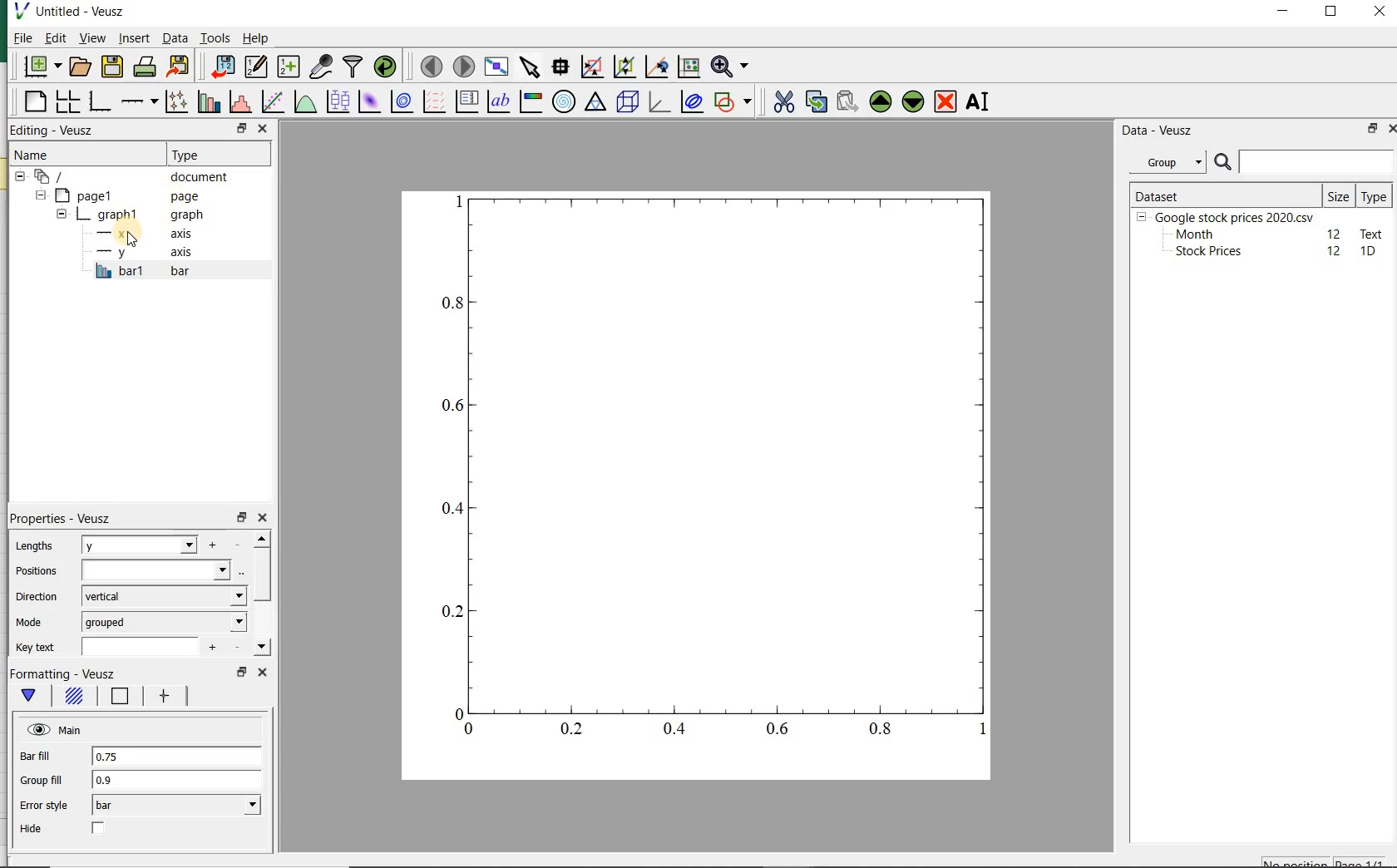  Describe the element at coordinates (464, 67) in the screenshot. I see `move to the next page` at that location.